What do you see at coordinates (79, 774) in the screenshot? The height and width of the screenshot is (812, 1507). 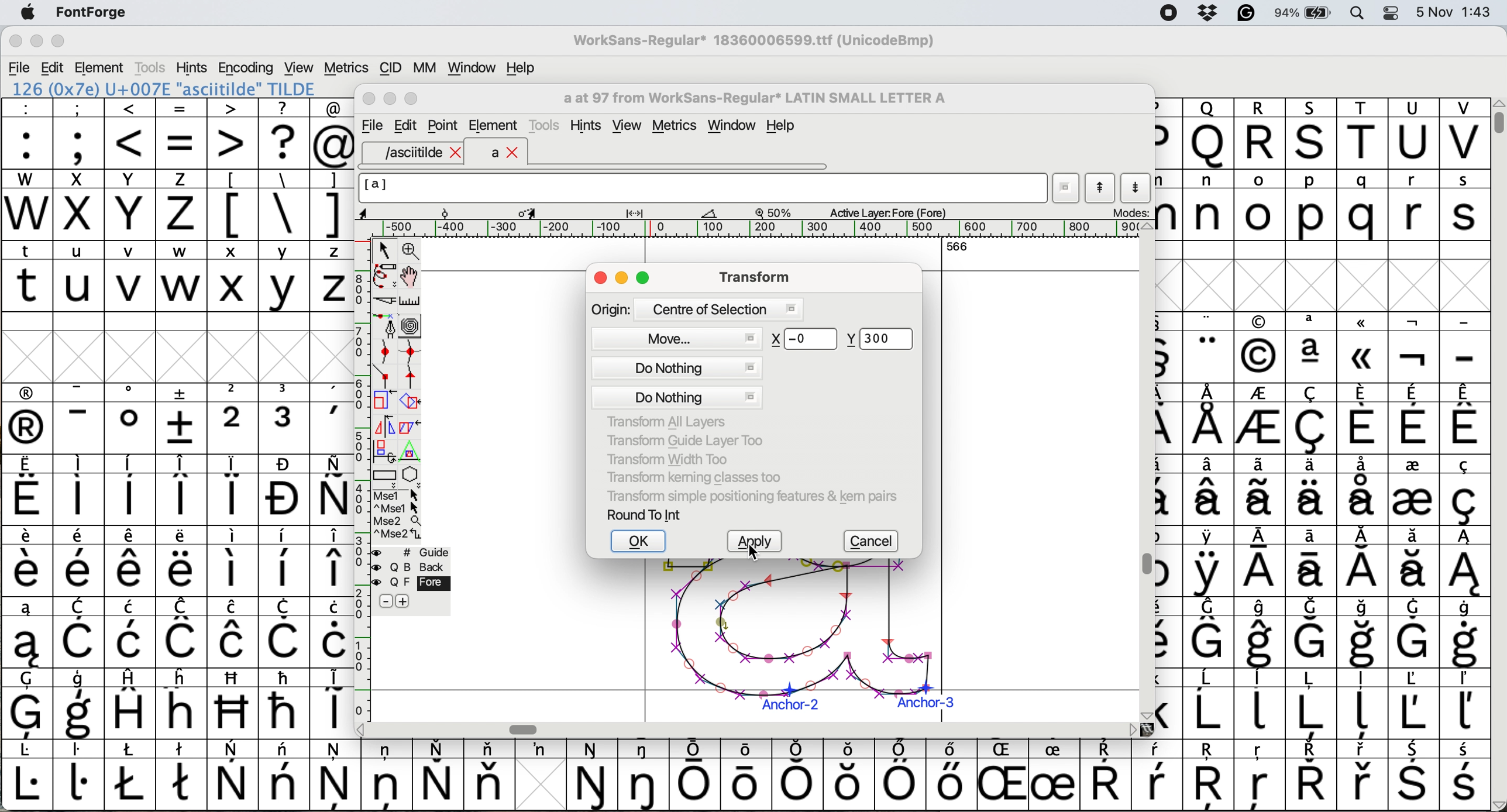 I see `symbol` at bounding box center [79, 774].